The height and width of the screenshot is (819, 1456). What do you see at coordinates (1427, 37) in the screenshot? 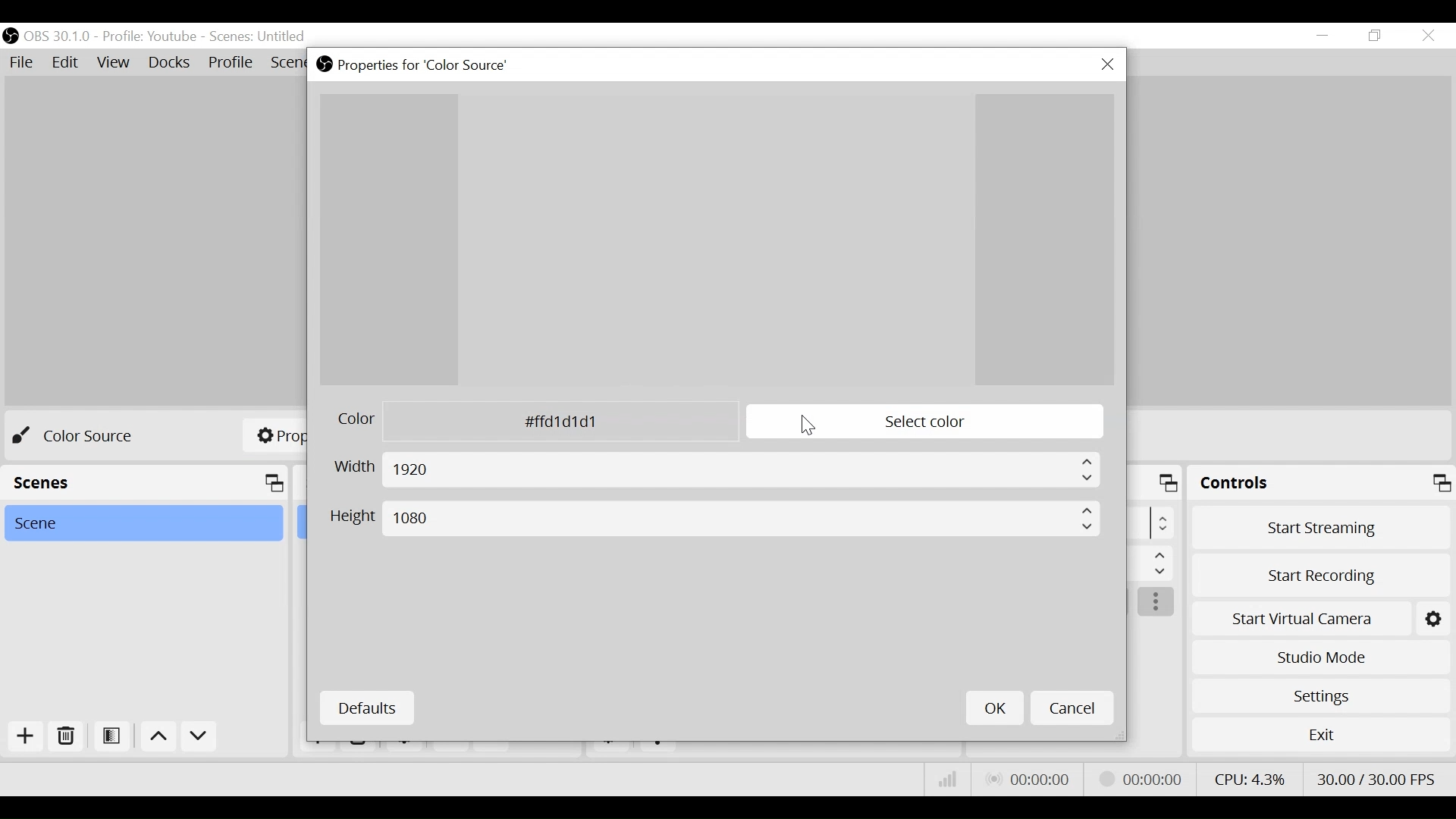
I see `Close` at bounding box center [1427, 37].